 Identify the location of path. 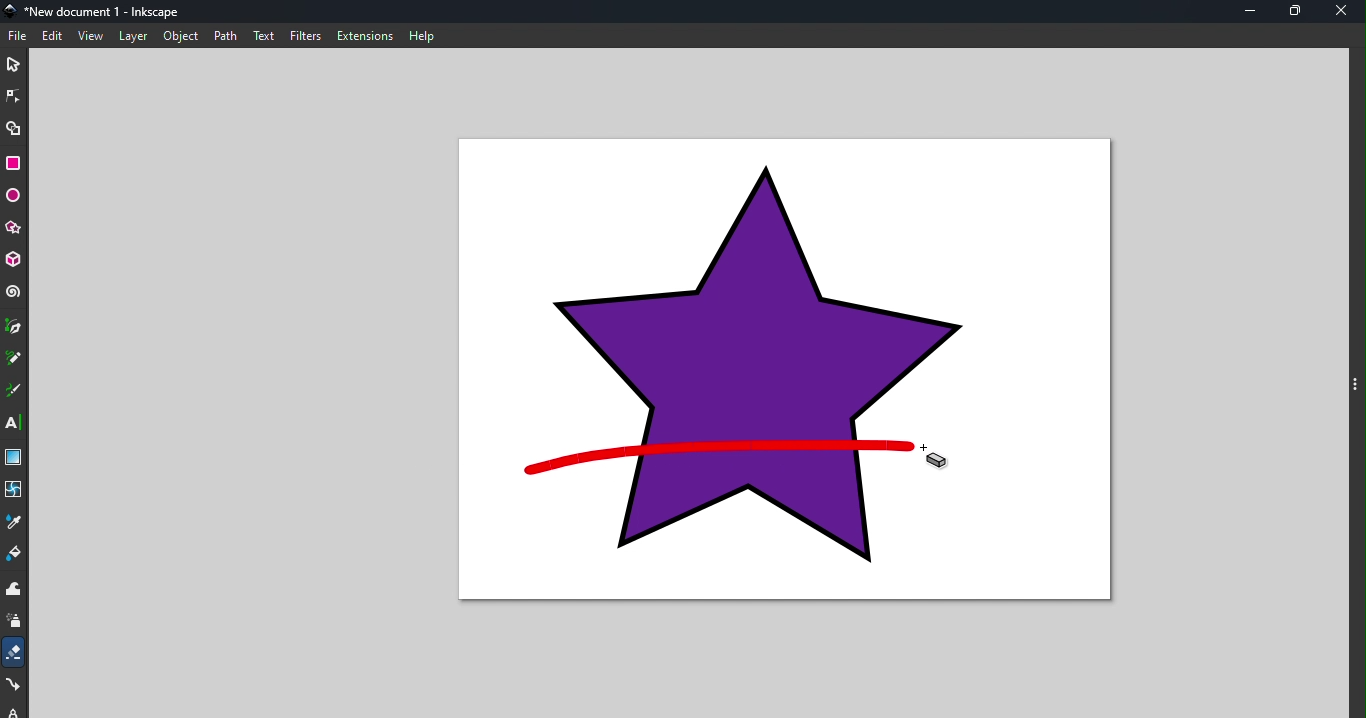
(229, 36).